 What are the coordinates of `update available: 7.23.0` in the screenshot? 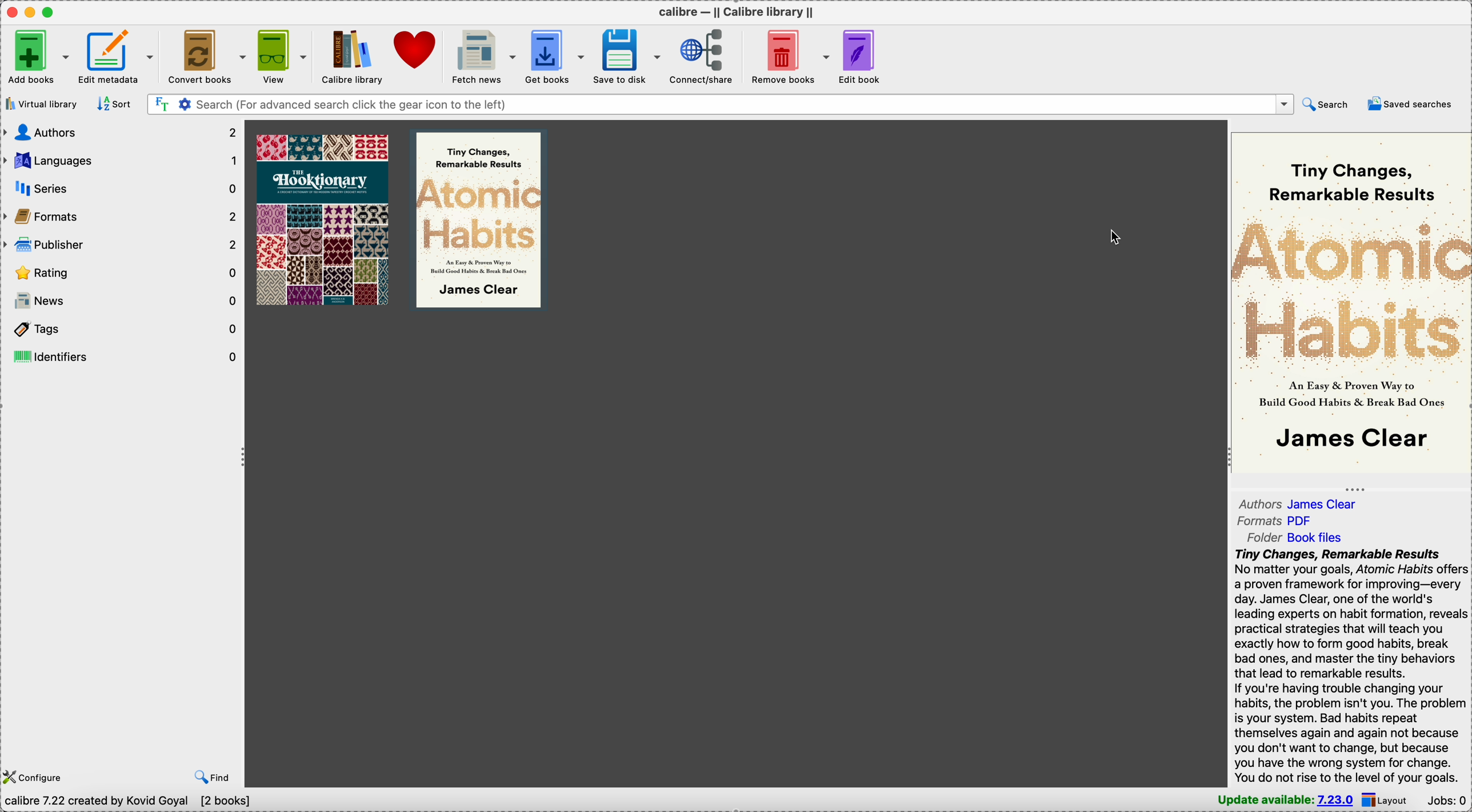 It's located at (1283, 801).